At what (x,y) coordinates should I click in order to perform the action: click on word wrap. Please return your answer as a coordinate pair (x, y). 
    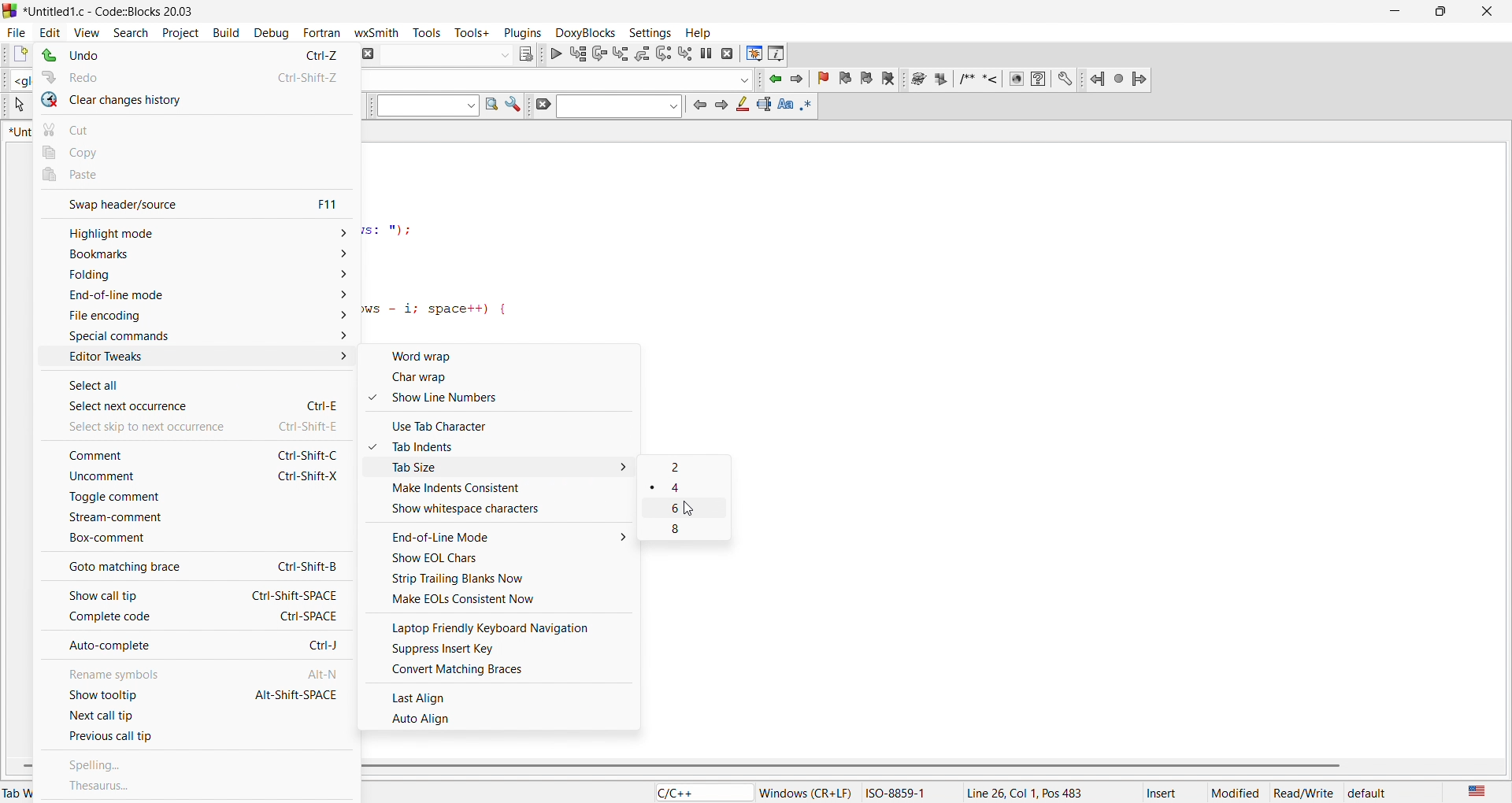
    Looking at the image, I should click on (508, 357).